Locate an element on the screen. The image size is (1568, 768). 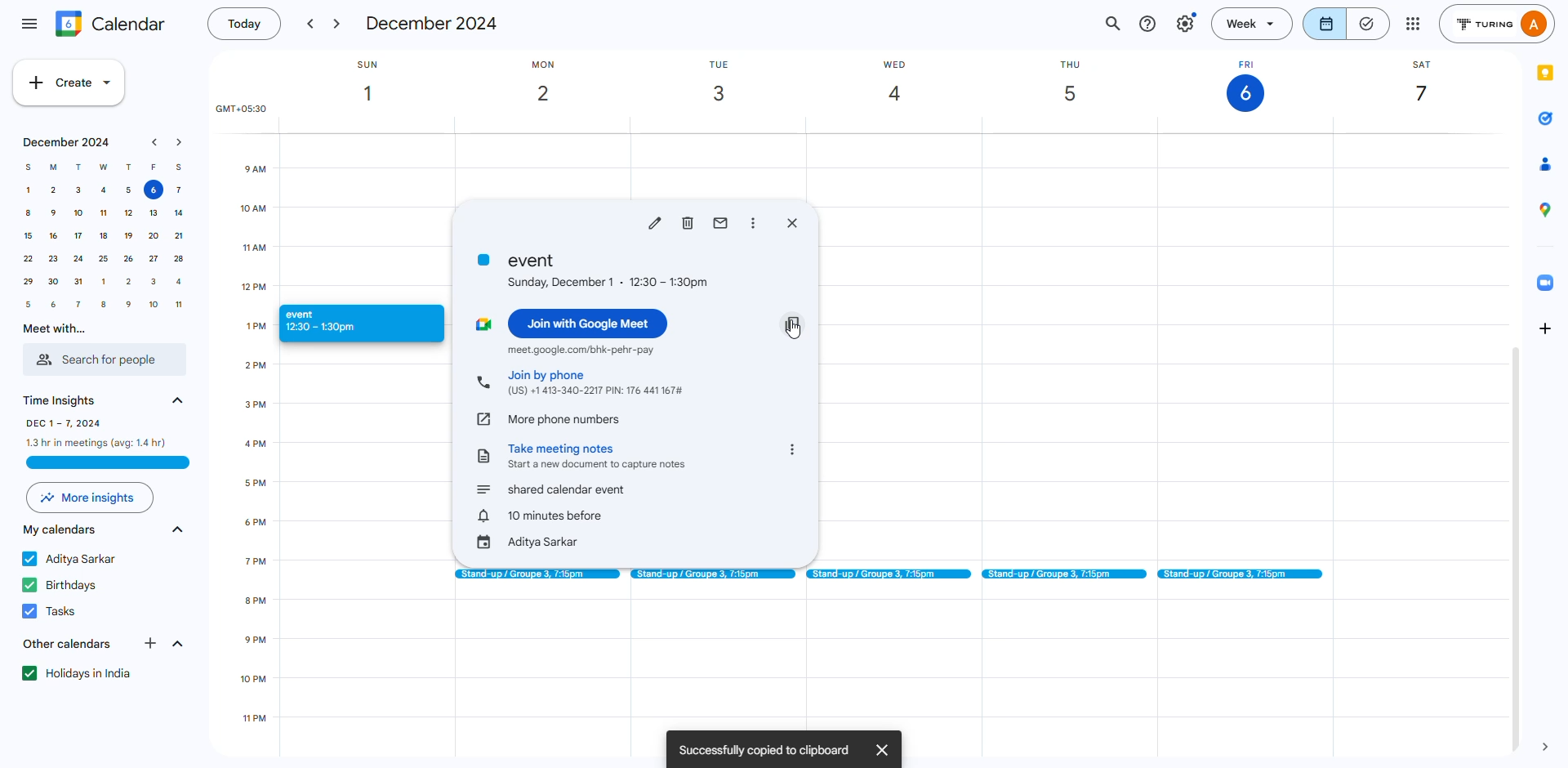
evet is located at coordinates (595, 270).